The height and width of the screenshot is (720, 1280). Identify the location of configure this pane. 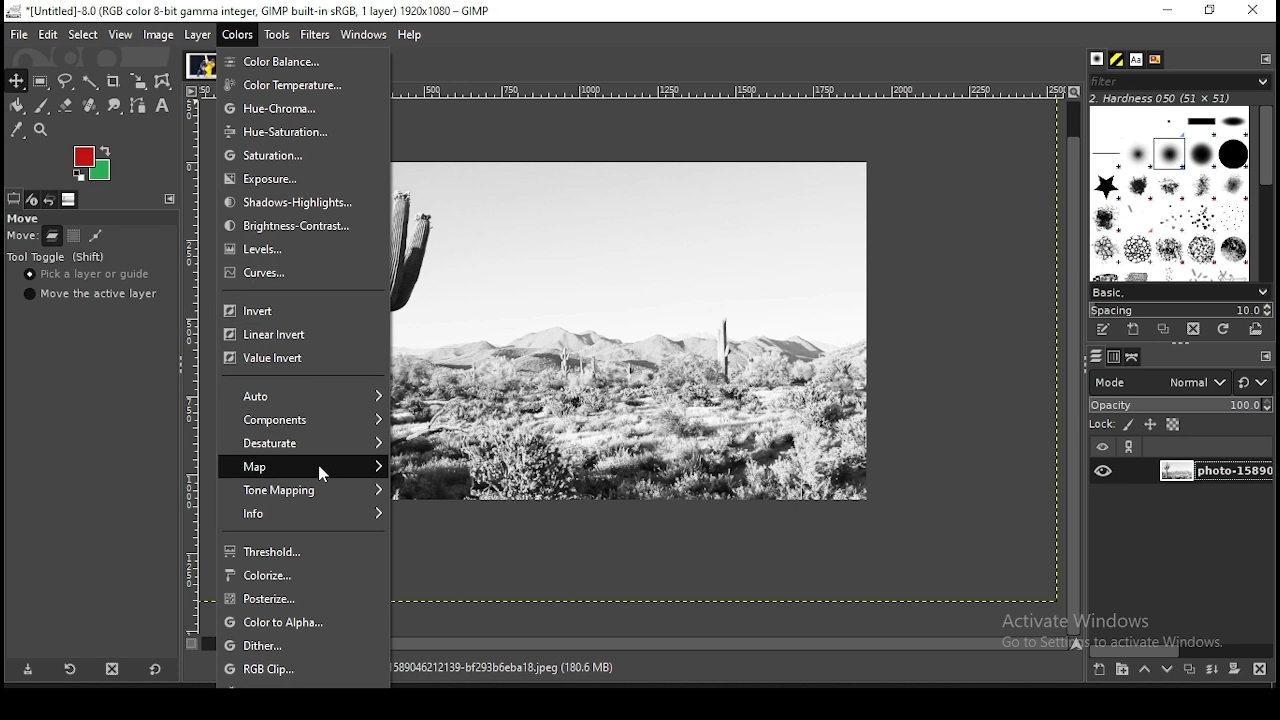
(1264, 356).